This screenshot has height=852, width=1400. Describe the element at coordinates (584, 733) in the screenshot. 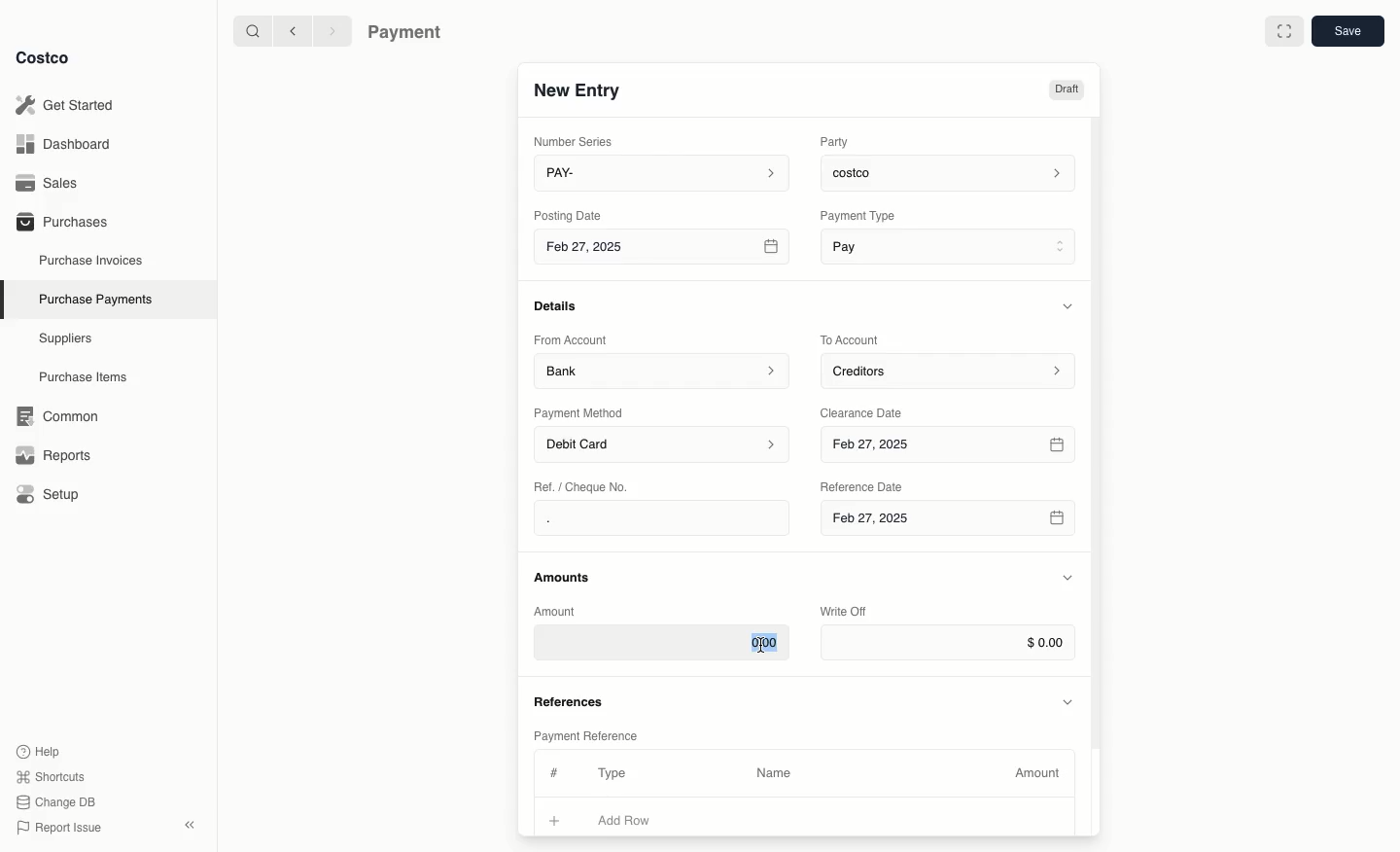

I see `Payment Reference` at that location.